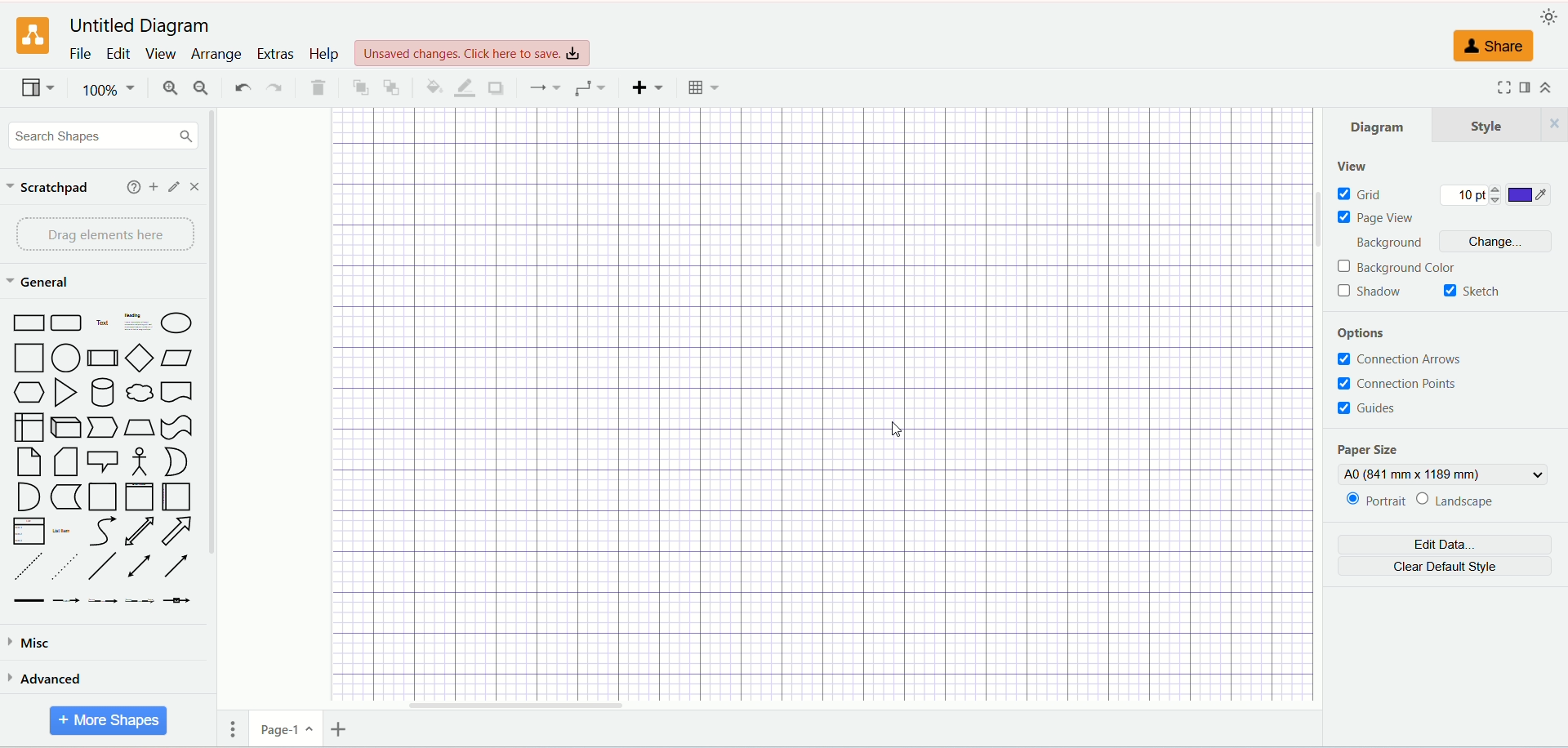  What do you see at coordinates (30, 324) in the screenshot?
I see `rectangle` at bounding box center [30, 324].